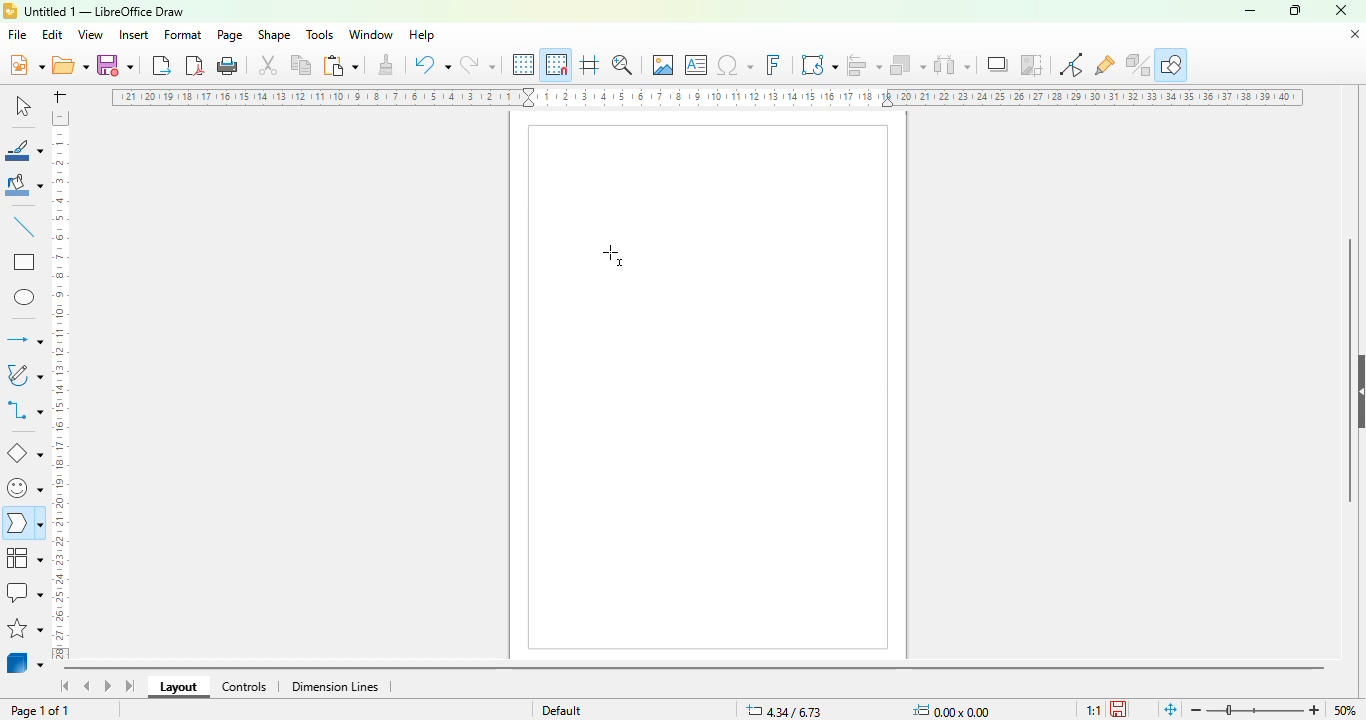  What do you see at coordinates (557, 64) in the screenshot?
I see `snap to grid` at bounding box center [557, 64].